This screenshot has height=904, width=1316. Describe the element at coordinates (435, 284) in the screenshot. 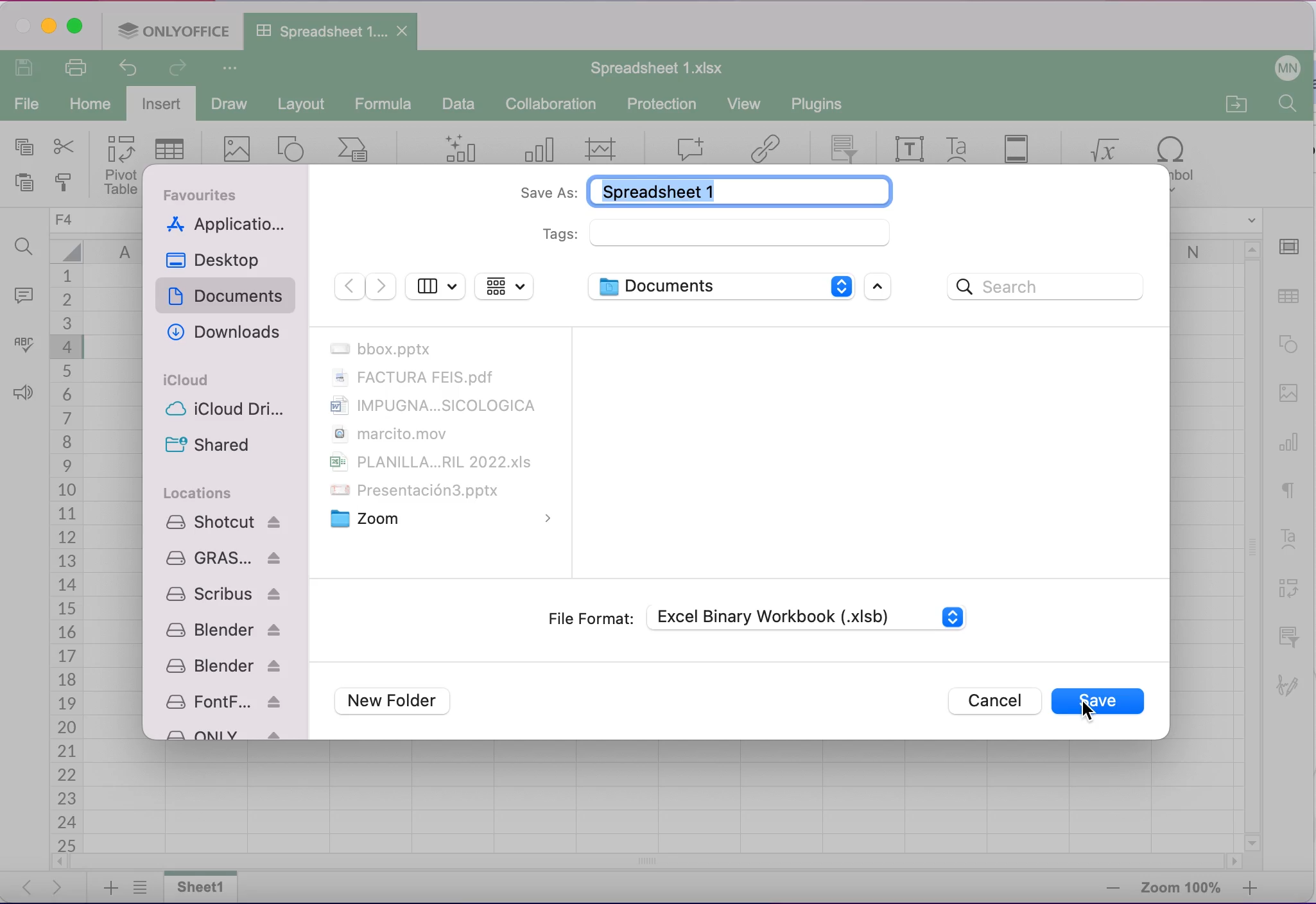

I see `show sidebar` at that location.